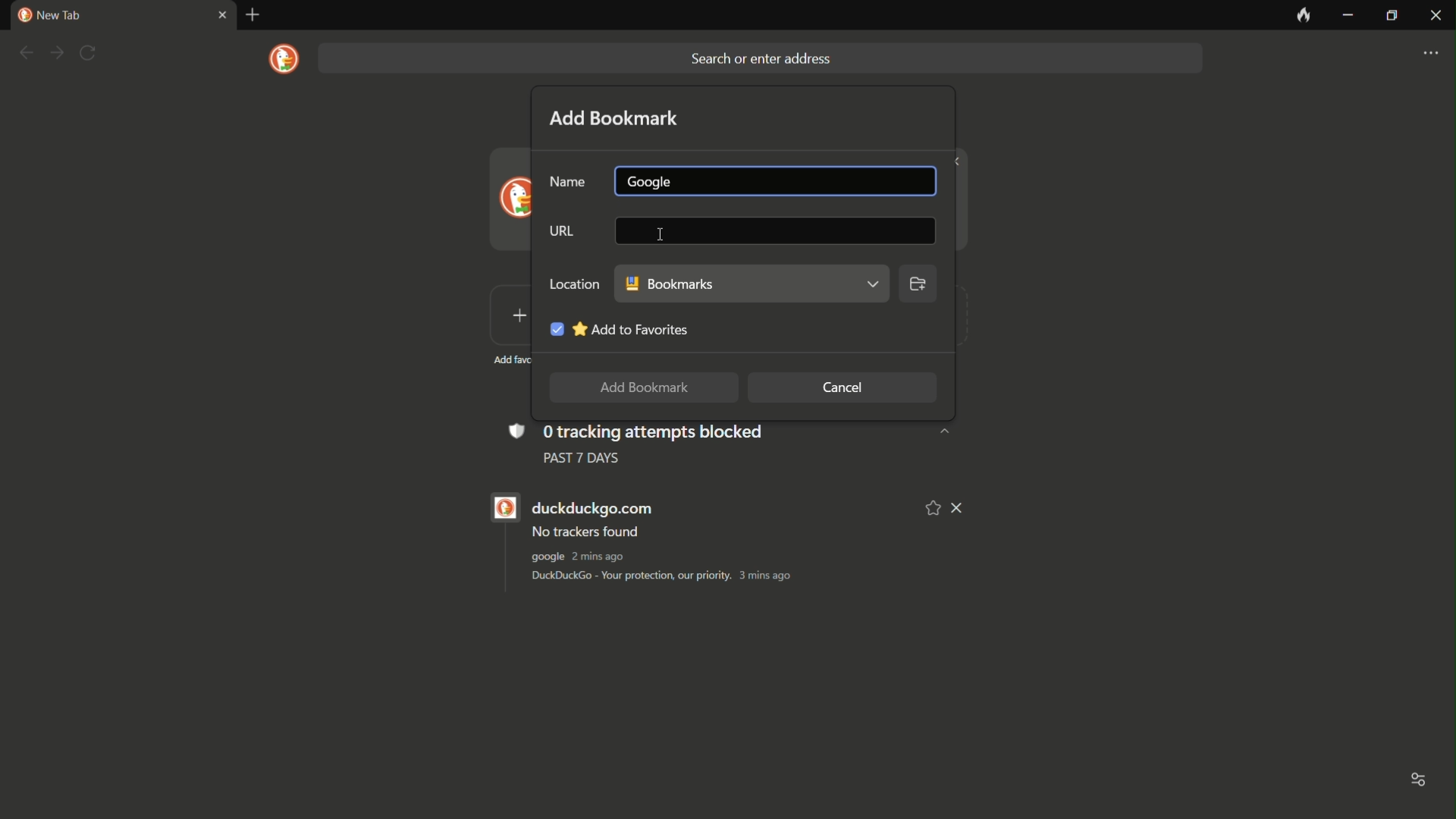 Image resolution: width=1456 pixels, height=819 pixels. What do you see at coordinates (56, 54) in the screenshot?
I see `forward` at bounding box center [56, 54].